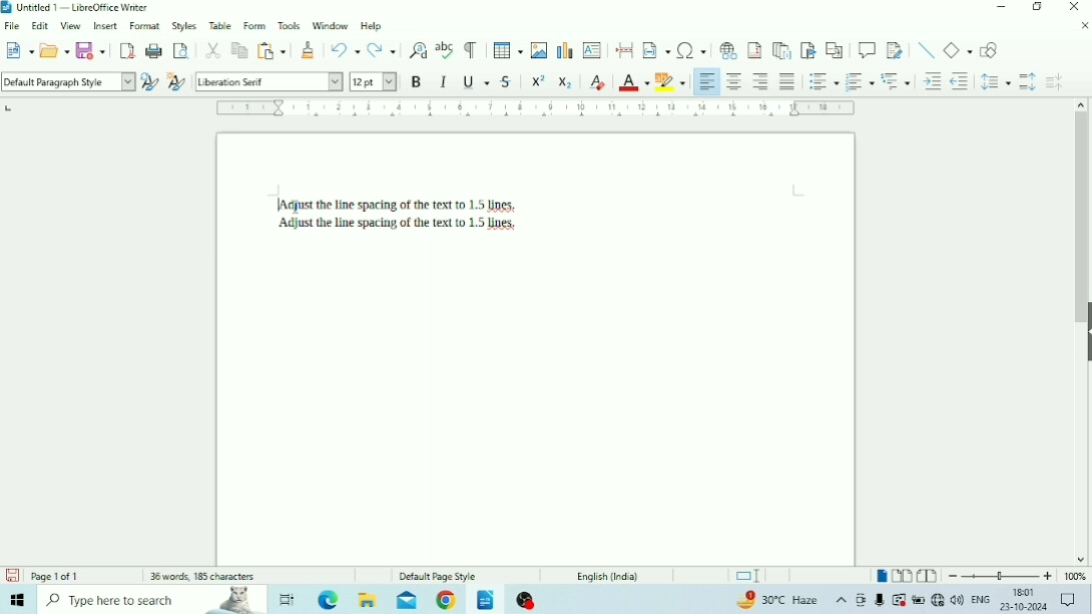 This screenshot has width=1092, height=614. I want to click on Check Spelling, so click(445, 50).